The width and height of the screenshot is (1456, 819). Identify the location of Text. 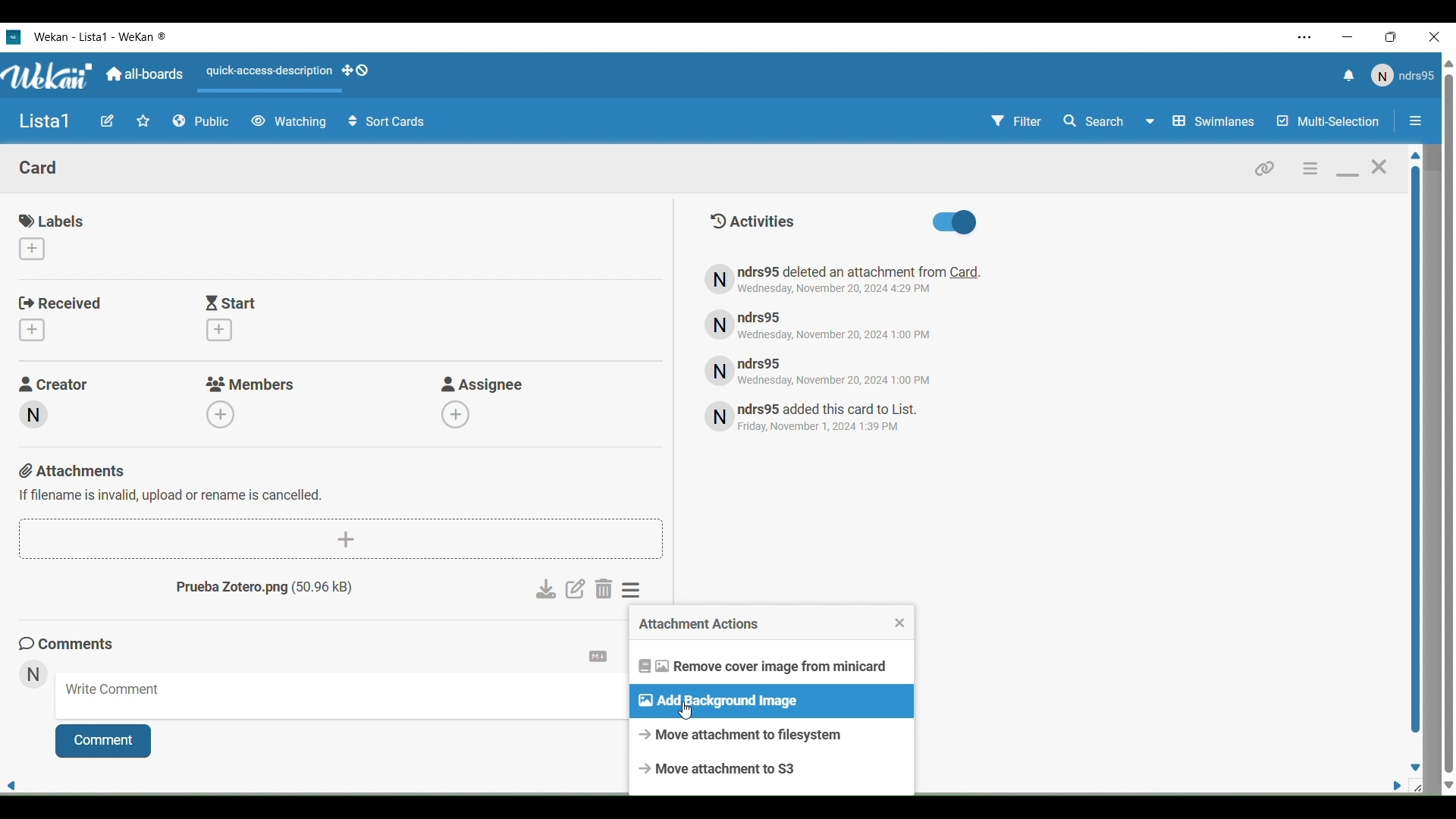
(758, 221).